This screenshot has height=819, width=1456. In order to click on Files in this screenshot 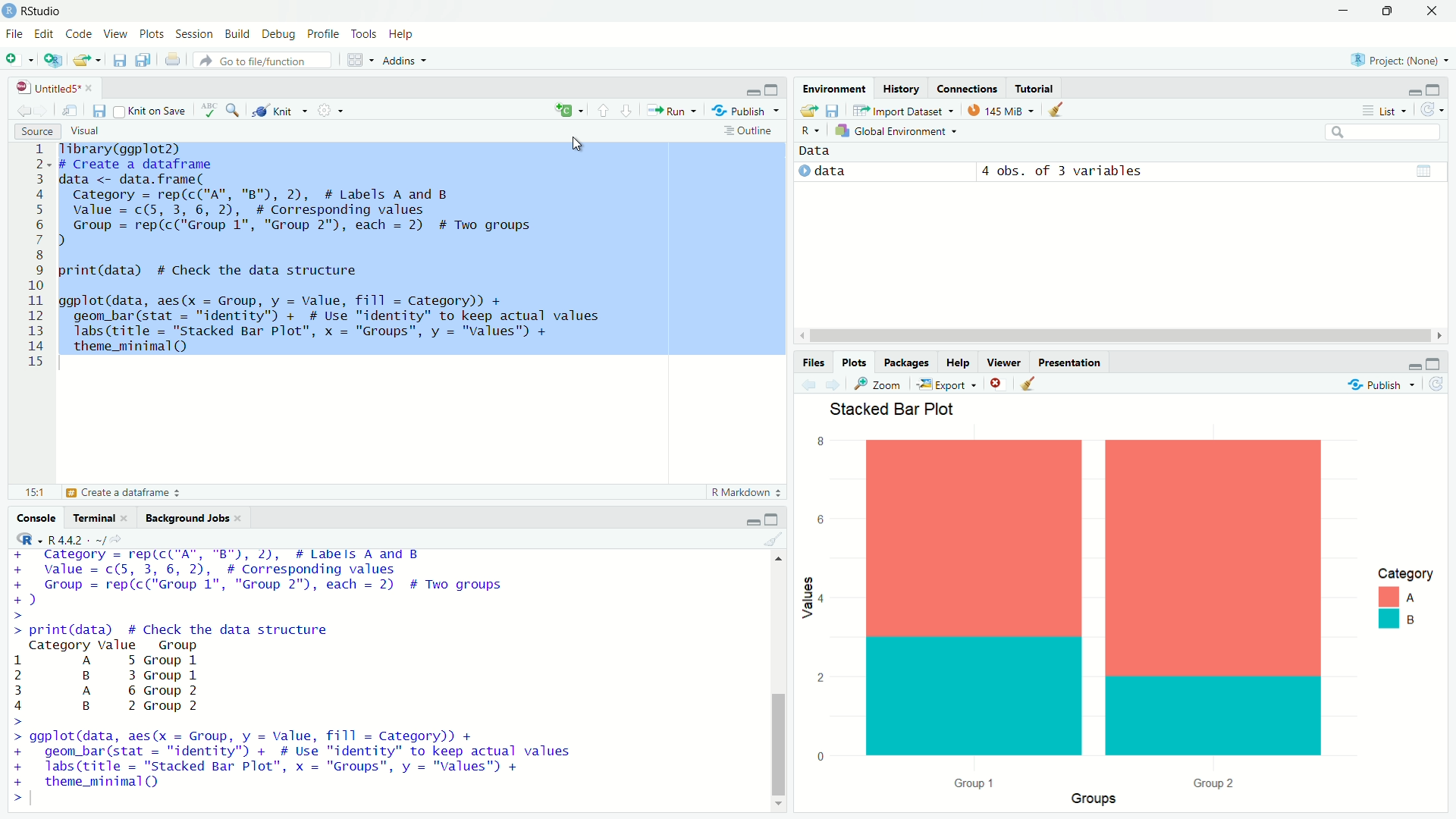, I will do `click(814, 360)`.